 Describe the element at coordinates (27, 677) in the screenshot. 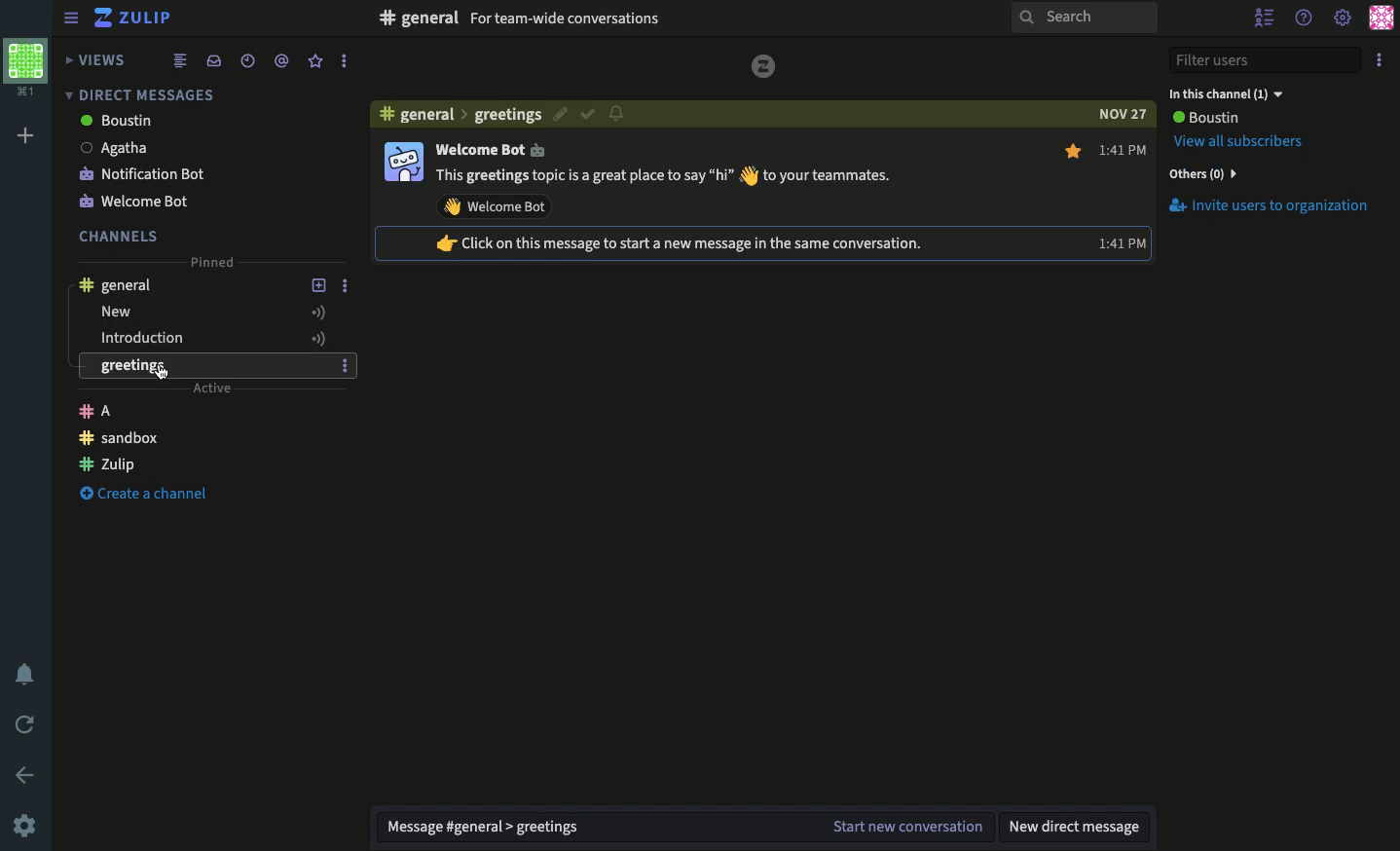

I see `Notification` at that location.